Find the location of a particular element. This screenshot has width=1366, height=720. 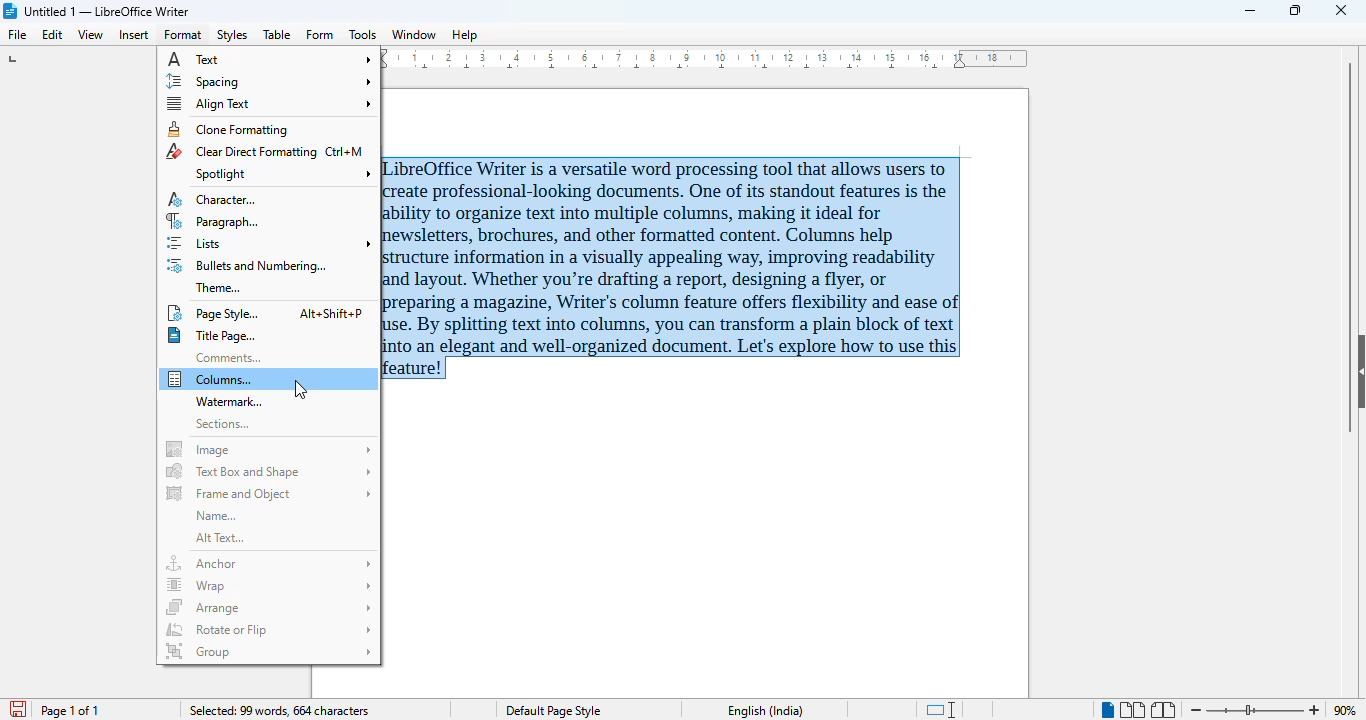

image is located at coordinates (270, 449).